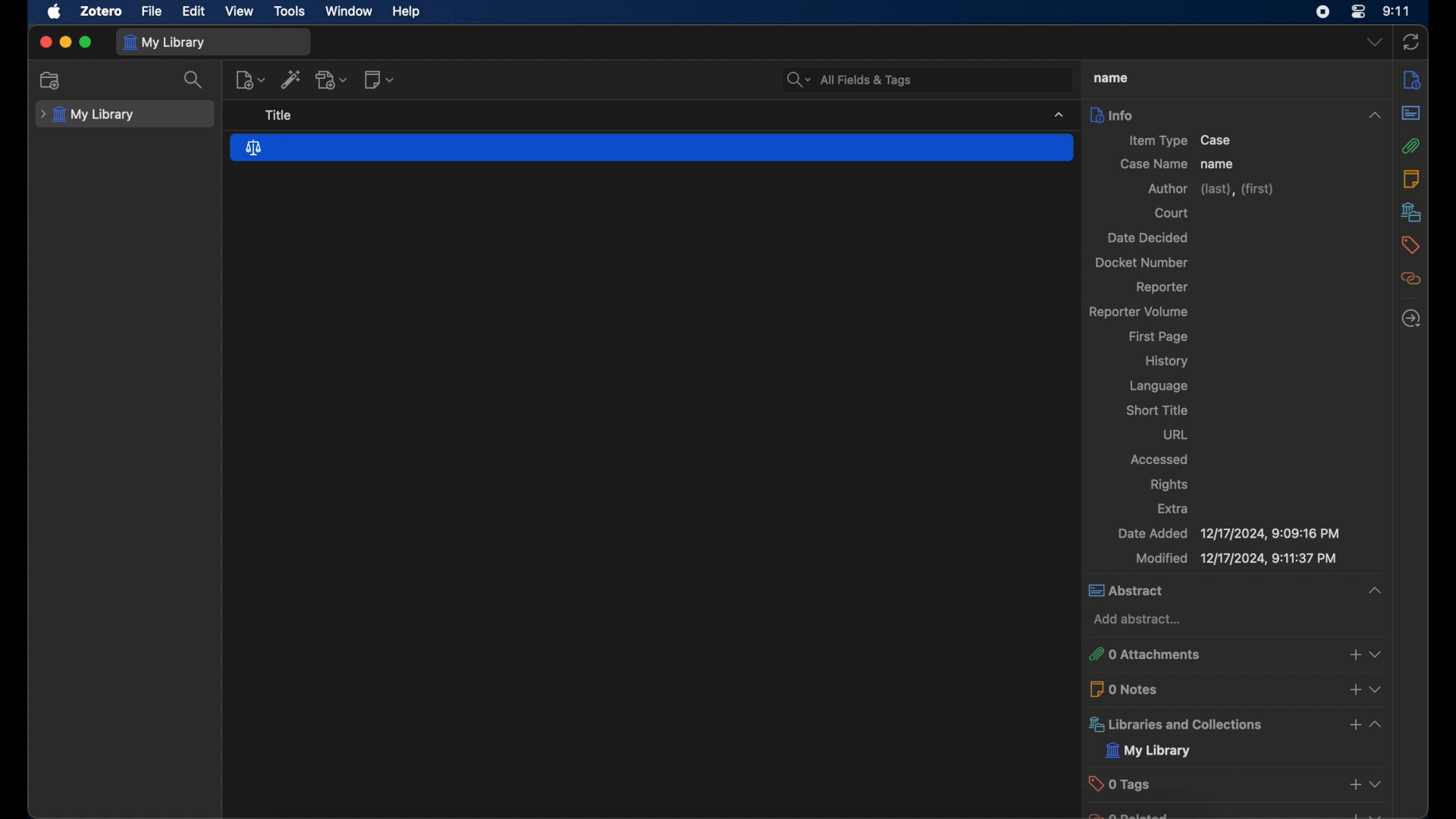 This screenshot has width=1456, height=819. I want to click on reporter, so click(1160, 287).